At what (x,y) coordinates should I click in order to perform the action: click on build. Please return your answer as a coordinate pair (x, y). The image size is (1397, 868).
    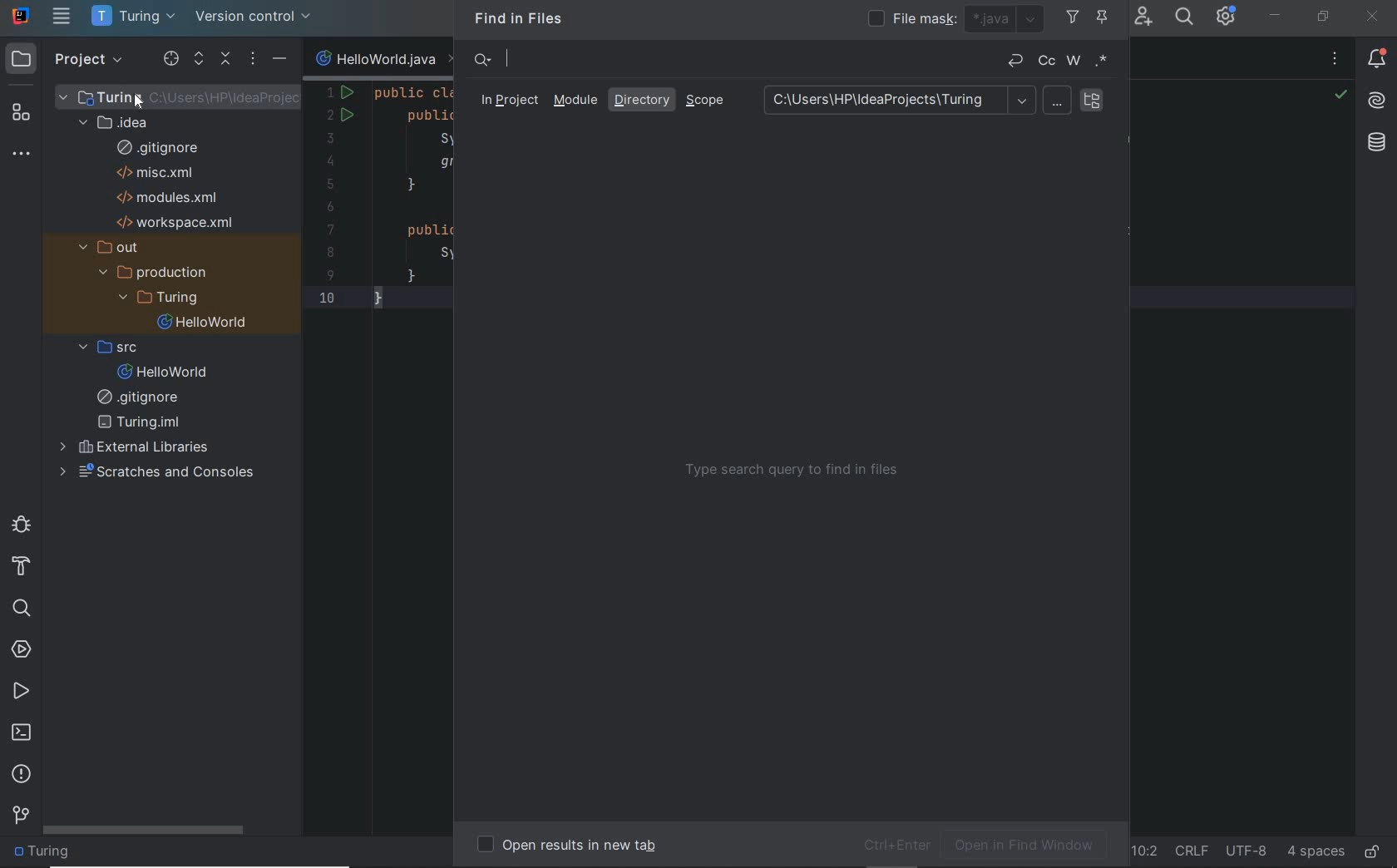
    Looking at the image, I should click on (24, 570).